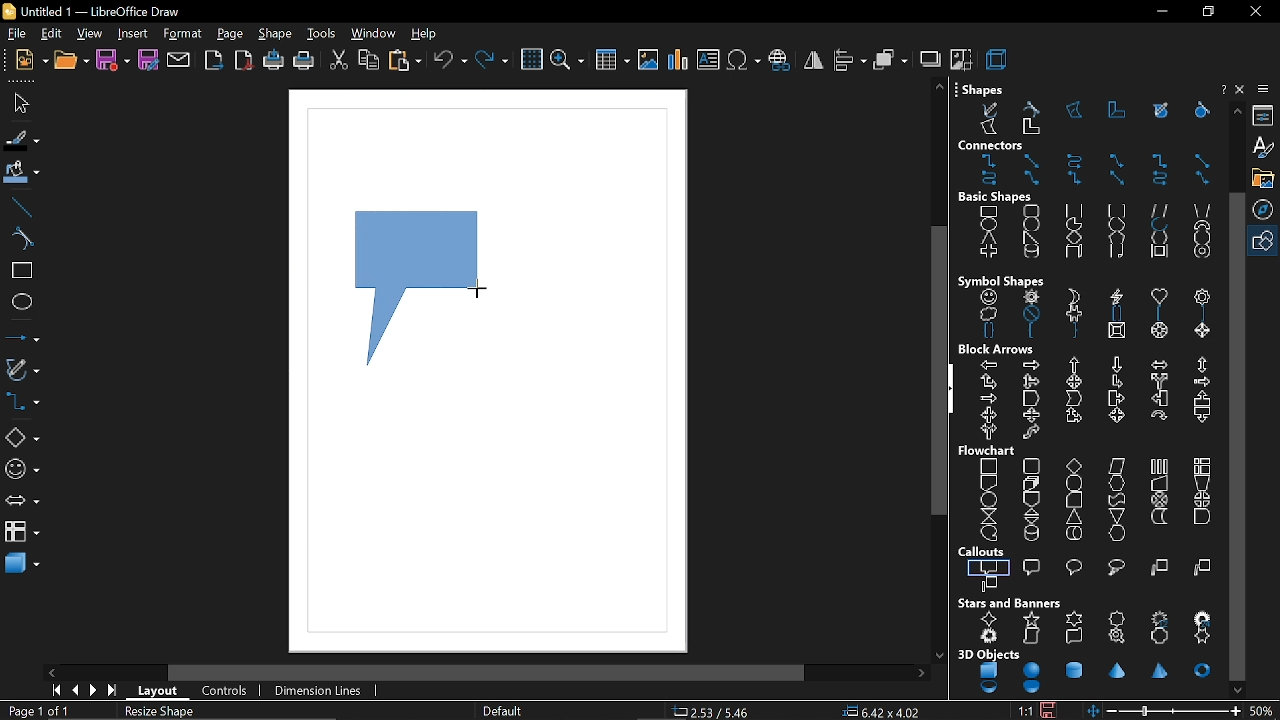 The width and height of the screenshot is (1280, 720). Describe the element at coordinates (1113, 298) in the screenshot. I see `lightning bolt` at that location.